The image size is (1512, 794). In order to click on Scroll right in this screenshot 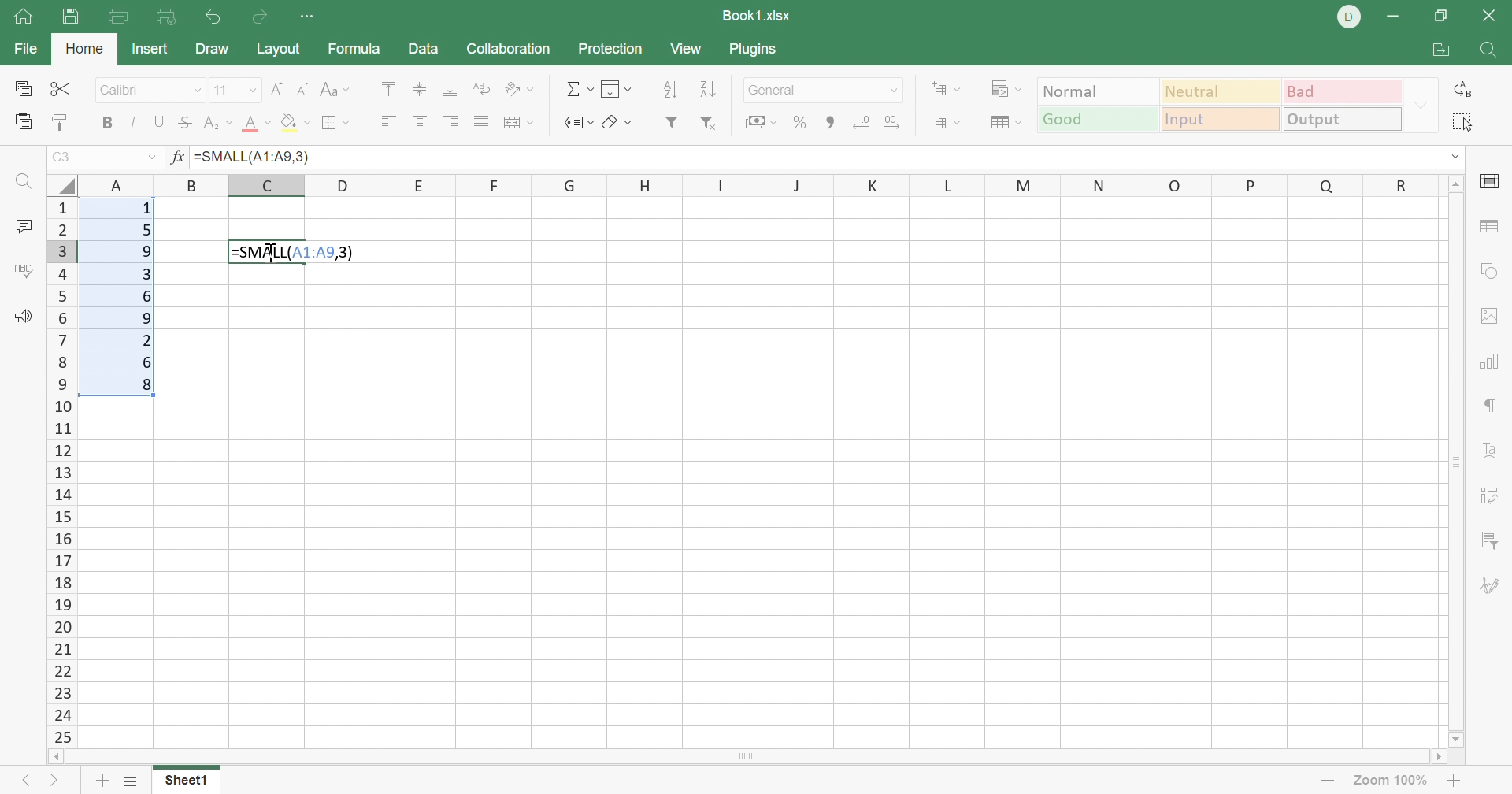, I will do `click(1441, 756)`.